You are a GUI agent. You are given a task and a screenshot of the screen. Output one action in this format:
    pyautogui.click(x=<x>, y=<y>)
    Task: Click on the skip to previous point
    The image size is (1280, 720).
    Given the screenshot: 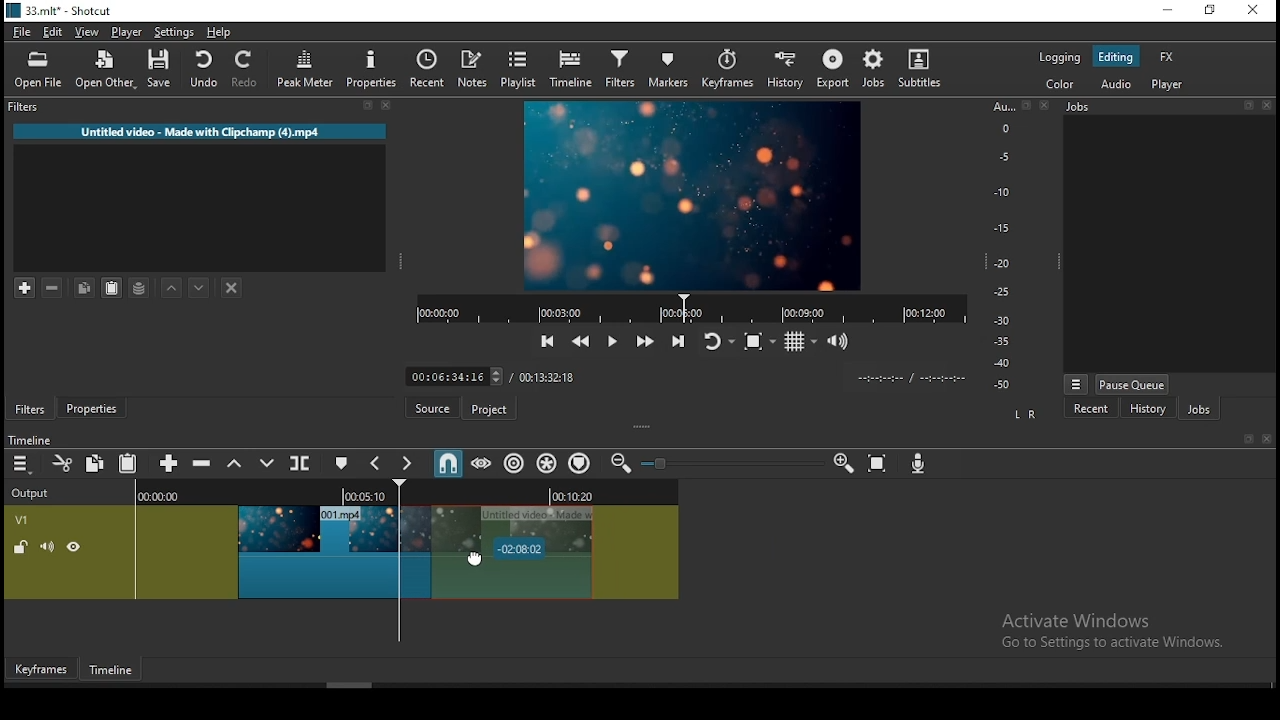 What is the action you would take?
    pyautogui.click(x=545, y=342)
    